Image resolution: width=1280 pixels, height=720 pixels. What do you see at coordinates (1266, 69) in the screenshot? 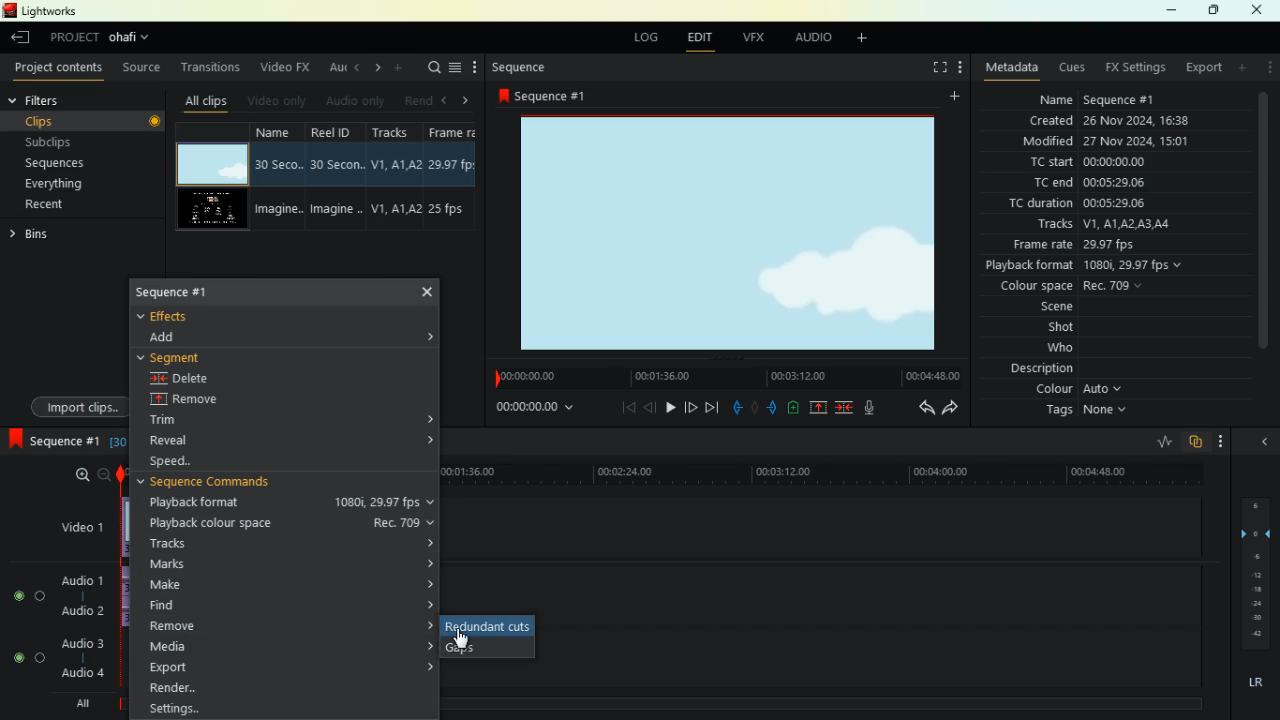
I see `more` at bounding box center [1266, 69].